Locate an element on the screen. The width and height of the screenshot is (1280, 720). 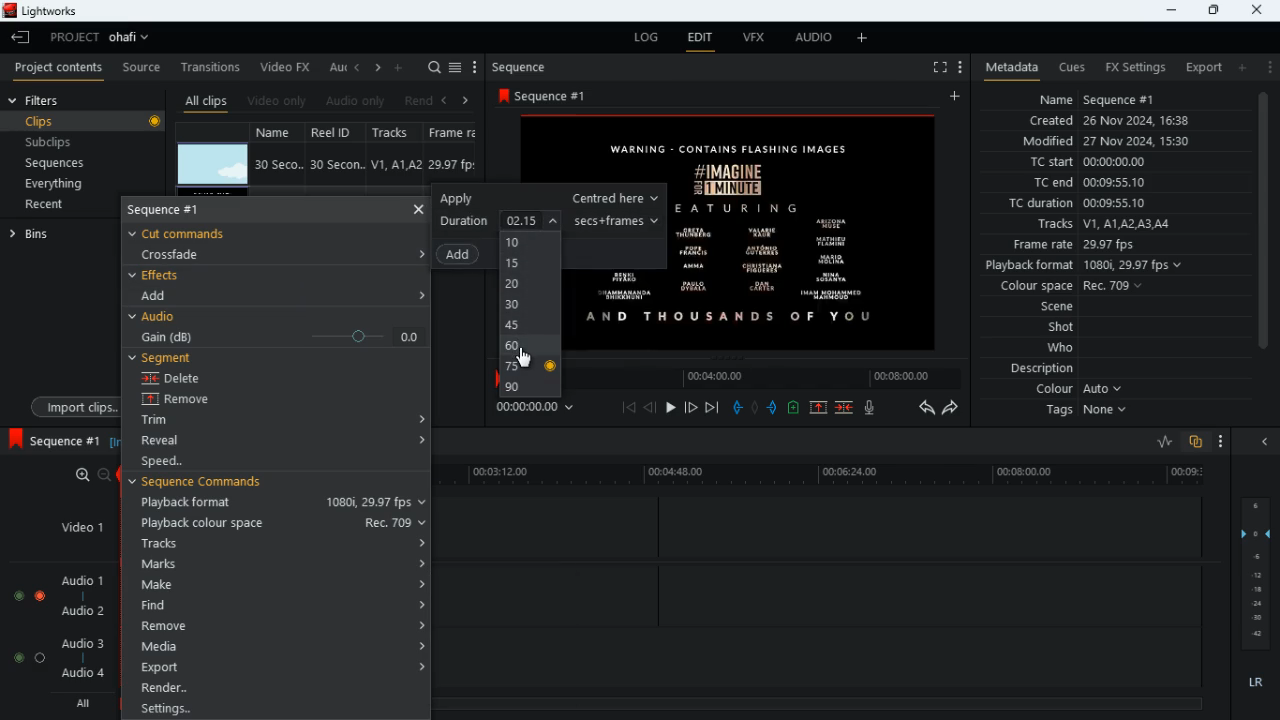
modified is located at coordinates (1119, 143).